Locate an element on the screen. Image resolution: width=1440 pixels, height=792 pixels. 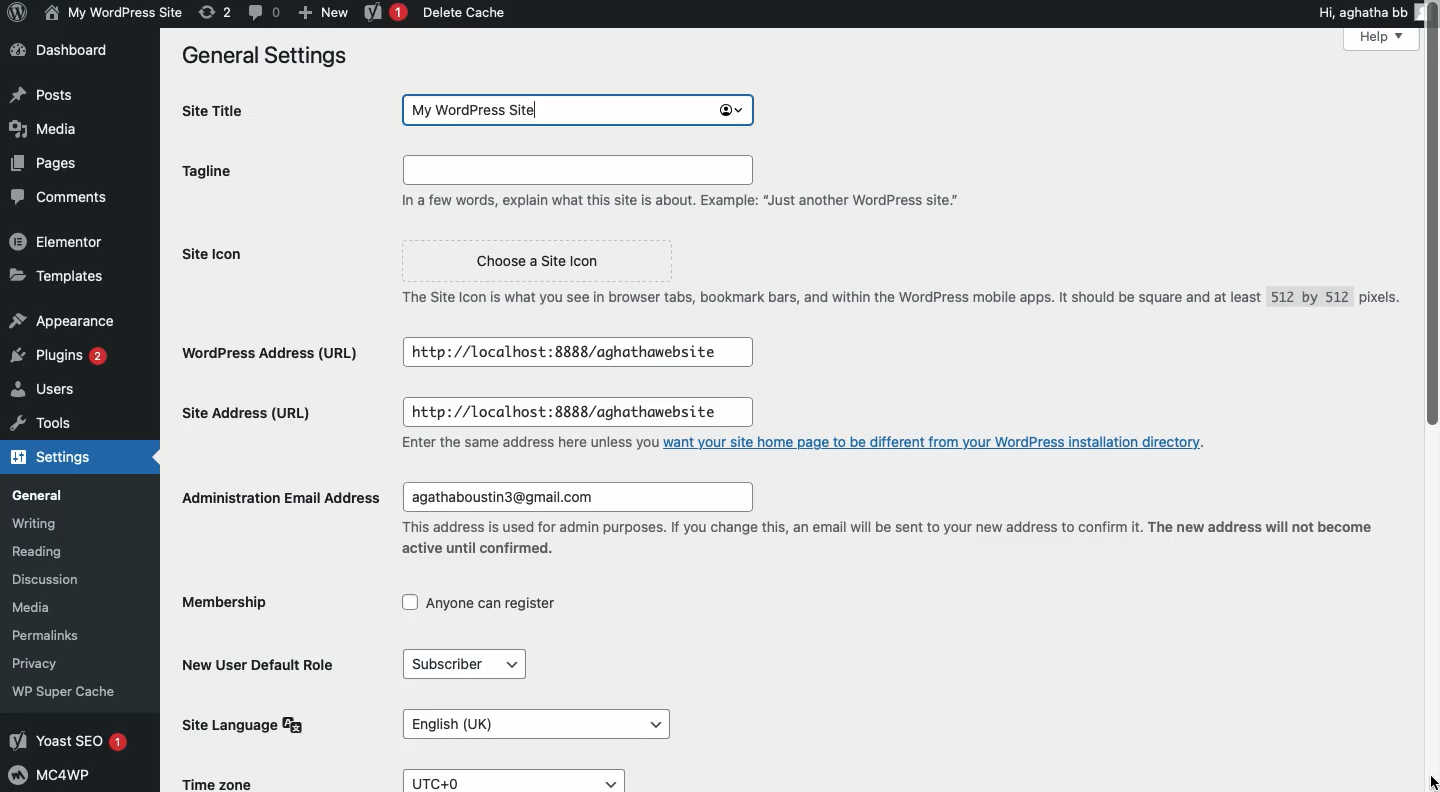
Scroll is located at coordinates (1430, 397).